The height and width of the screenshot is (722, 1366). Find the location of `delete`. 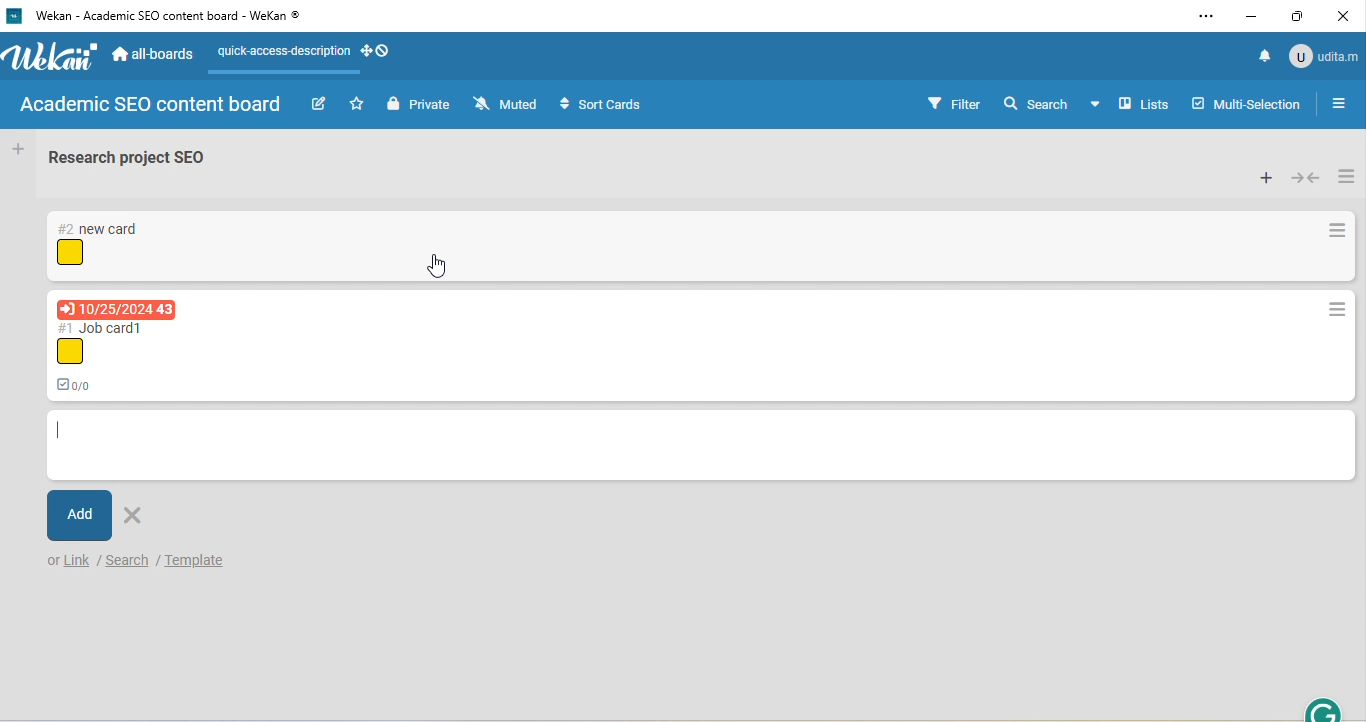

delete is located at coordinates (138, 513).